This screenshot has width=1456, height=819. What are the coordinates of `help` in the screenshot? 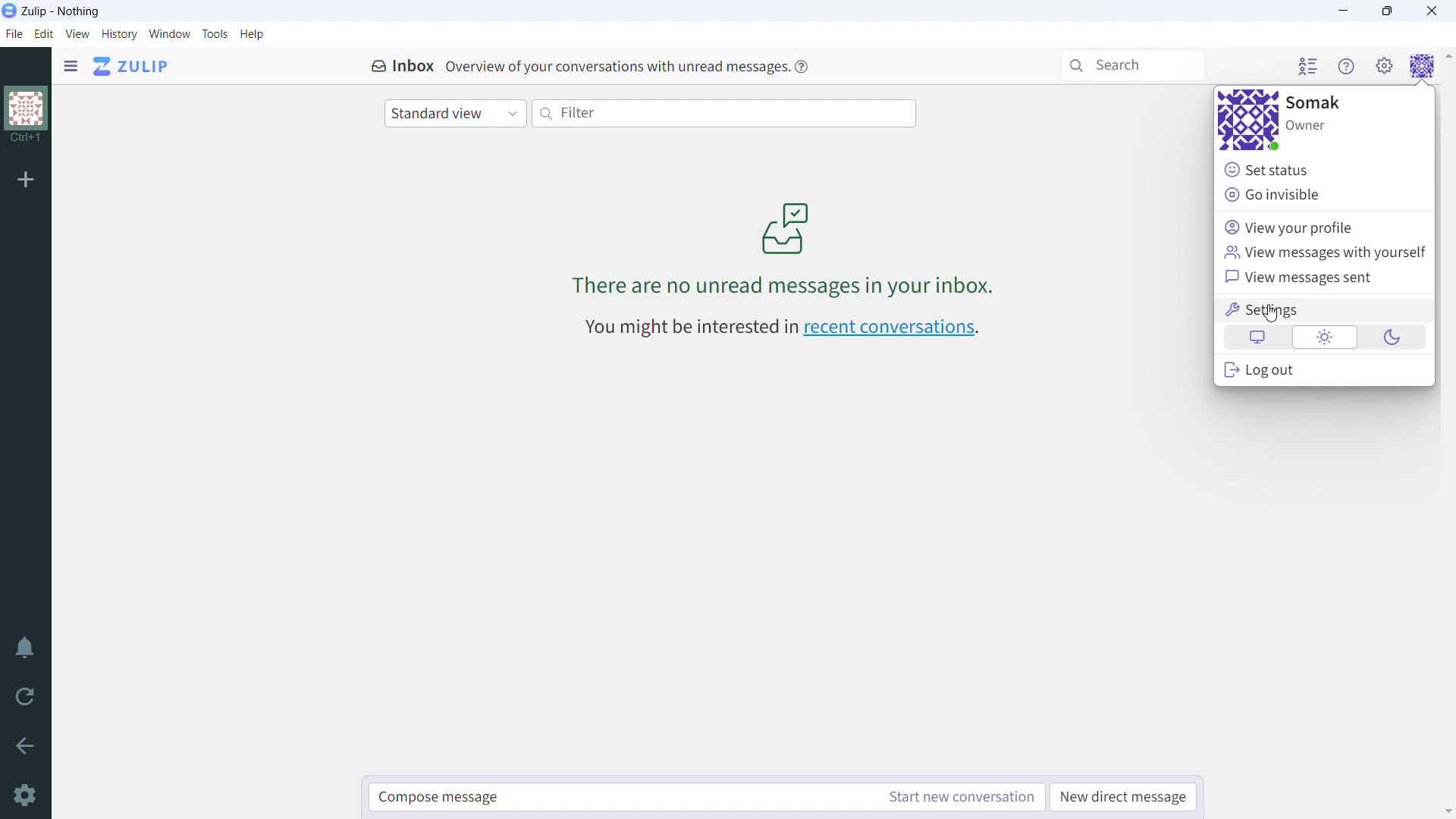 It's located at (252, 33).